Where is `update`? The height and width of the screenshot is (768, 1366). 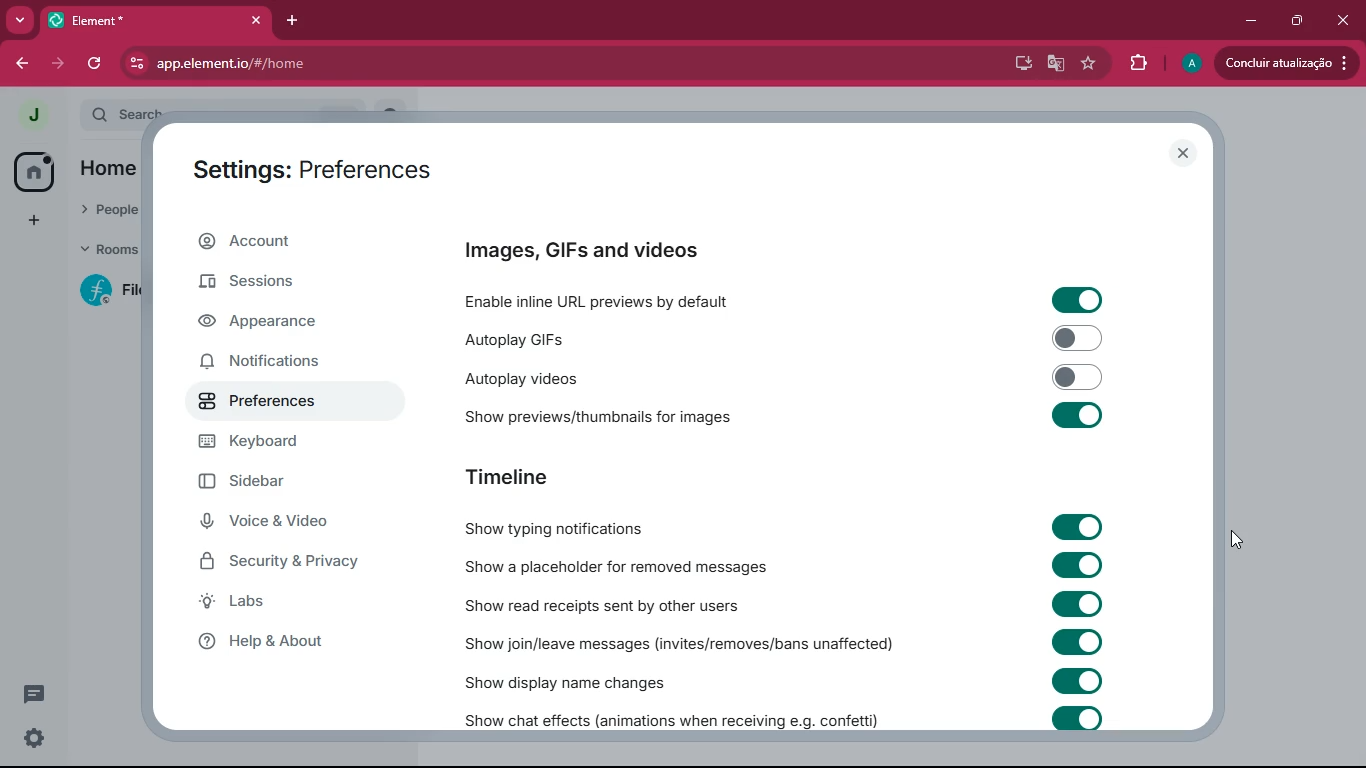 update is located at coordinates (1282, 63).